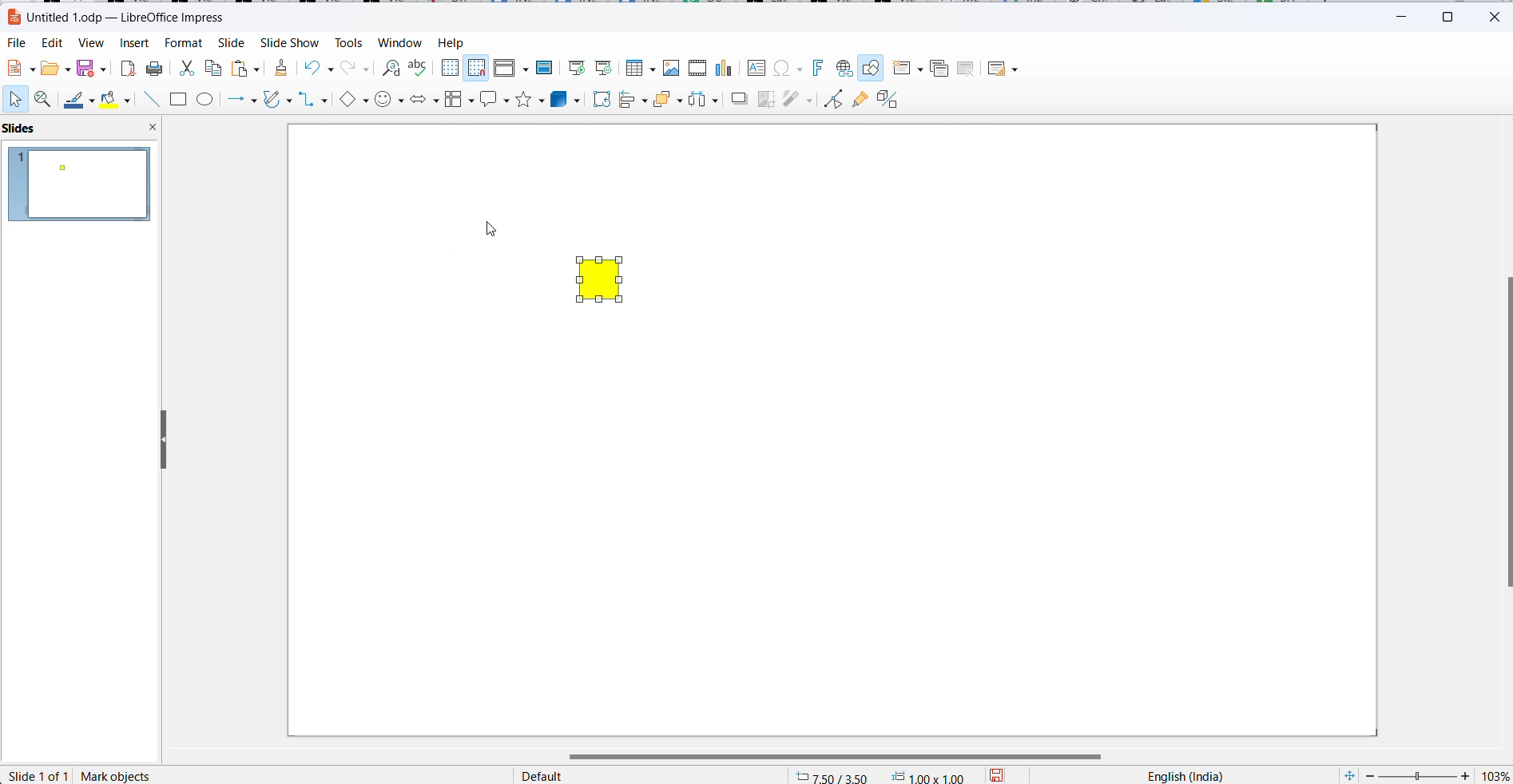 The width and height of the screenshot is (1513, 784). I want to click on File, so click(18, 44).